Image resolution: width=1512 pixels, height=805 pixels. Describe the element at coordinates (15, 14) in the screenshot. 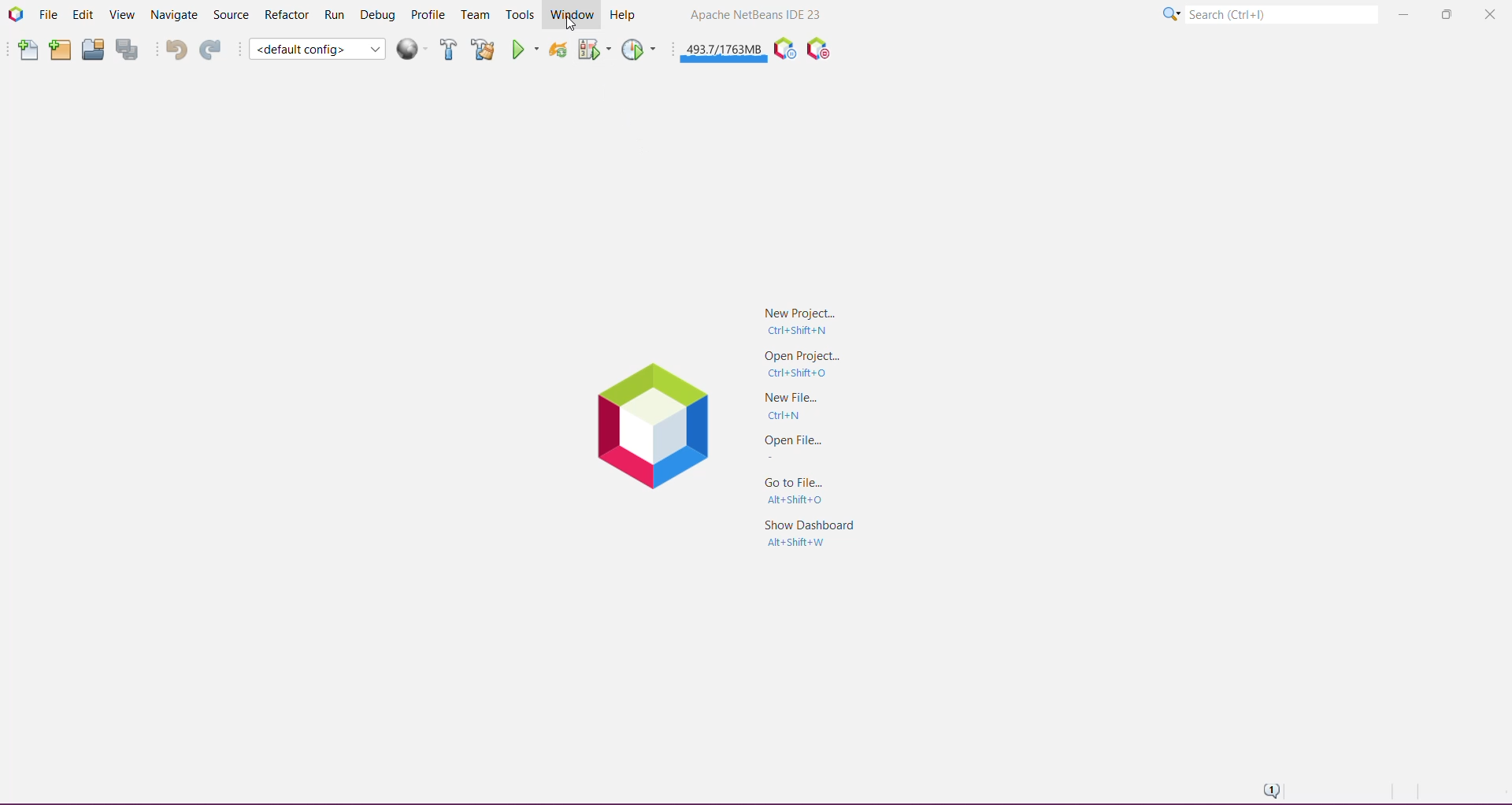

I see `Application Logo` at that location.